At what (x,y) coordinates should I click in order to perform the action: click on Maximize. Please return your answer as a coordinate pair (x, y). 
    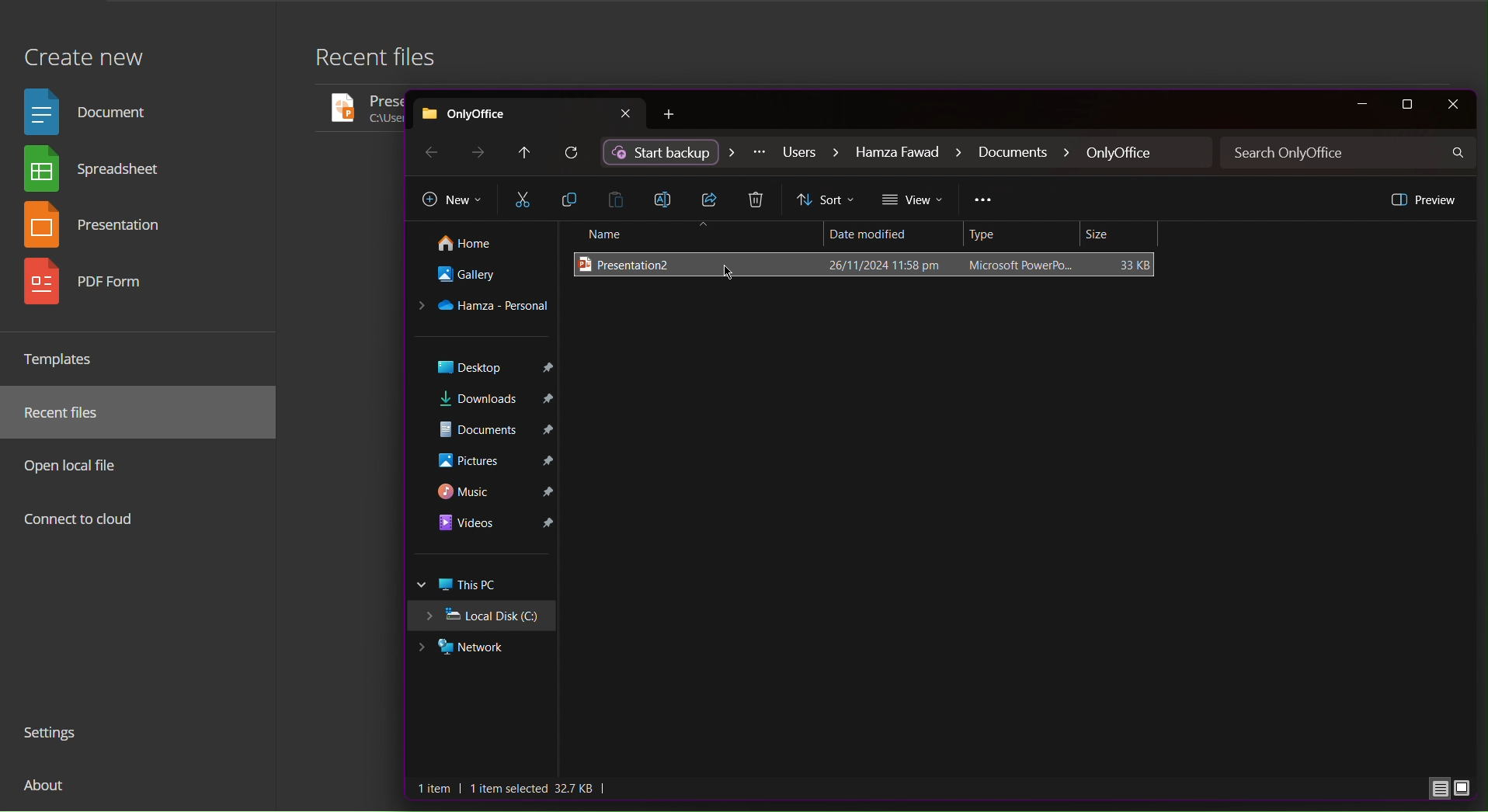
    Looking at the image, I should click on (1410, 105).